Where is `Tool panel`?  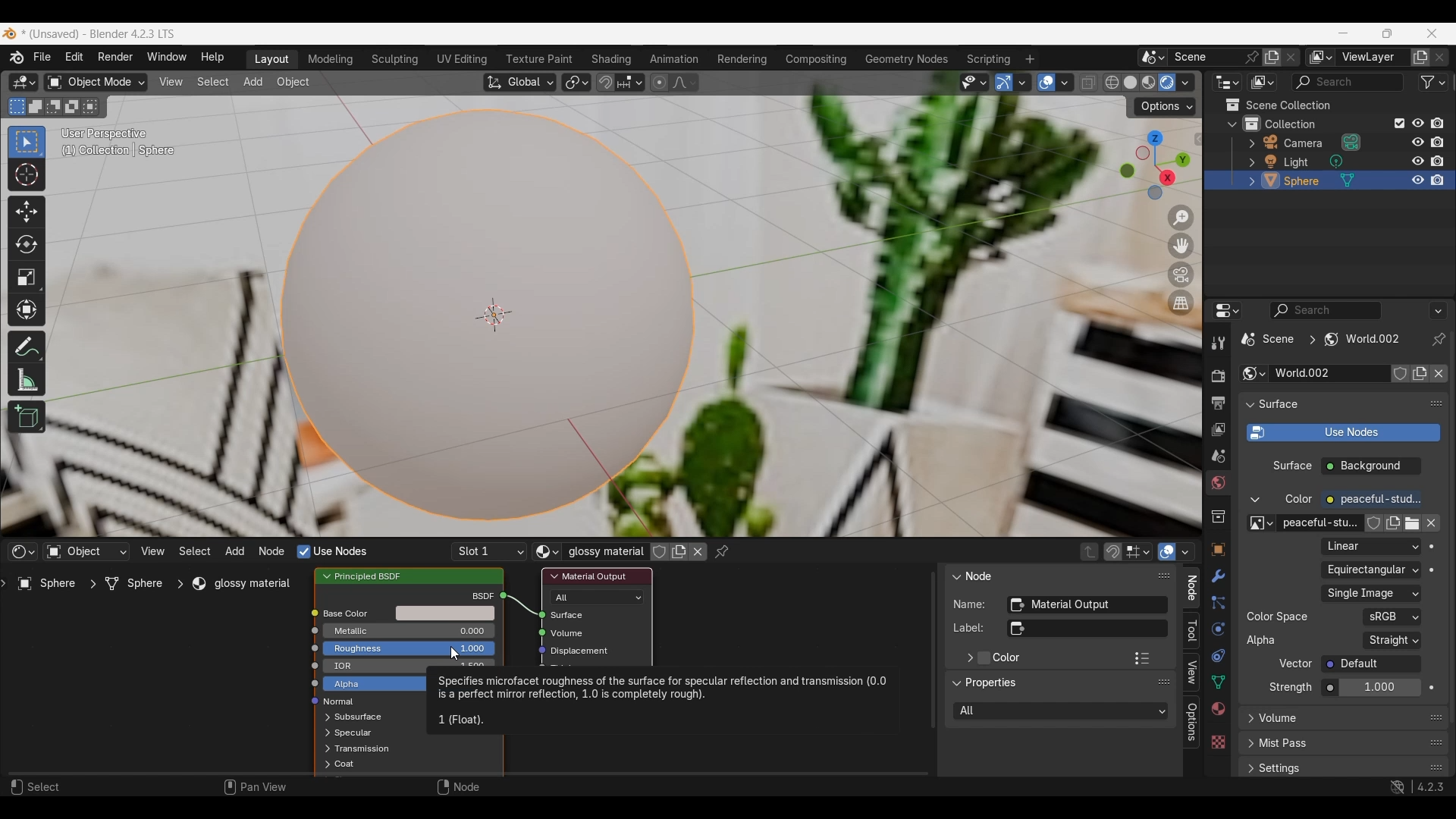
Tool panel is located at coordinates (1192, 631).